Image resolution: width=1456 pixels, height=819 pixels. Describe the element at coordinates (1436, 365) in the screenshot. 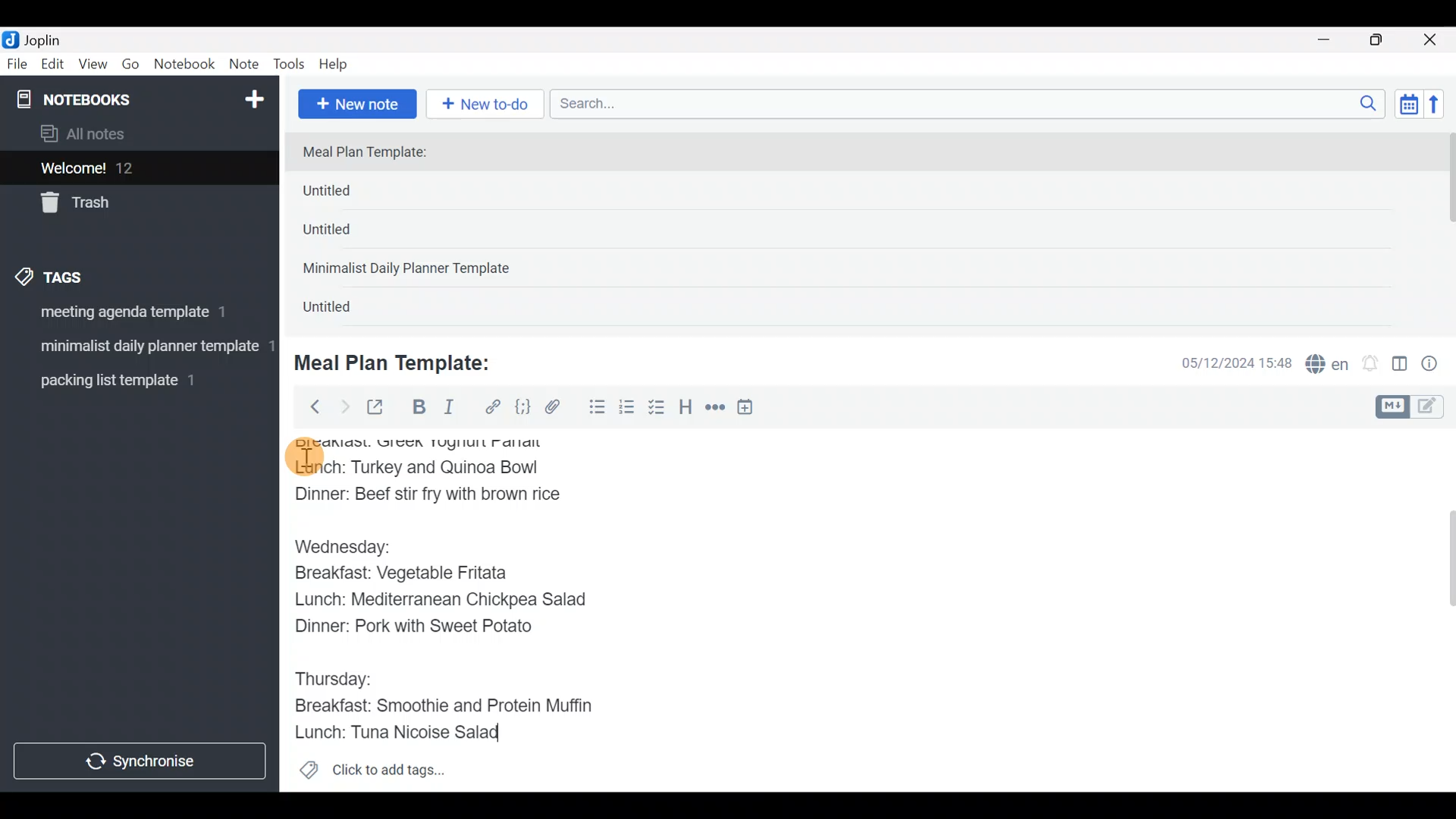

I see `Note properties` at that location.